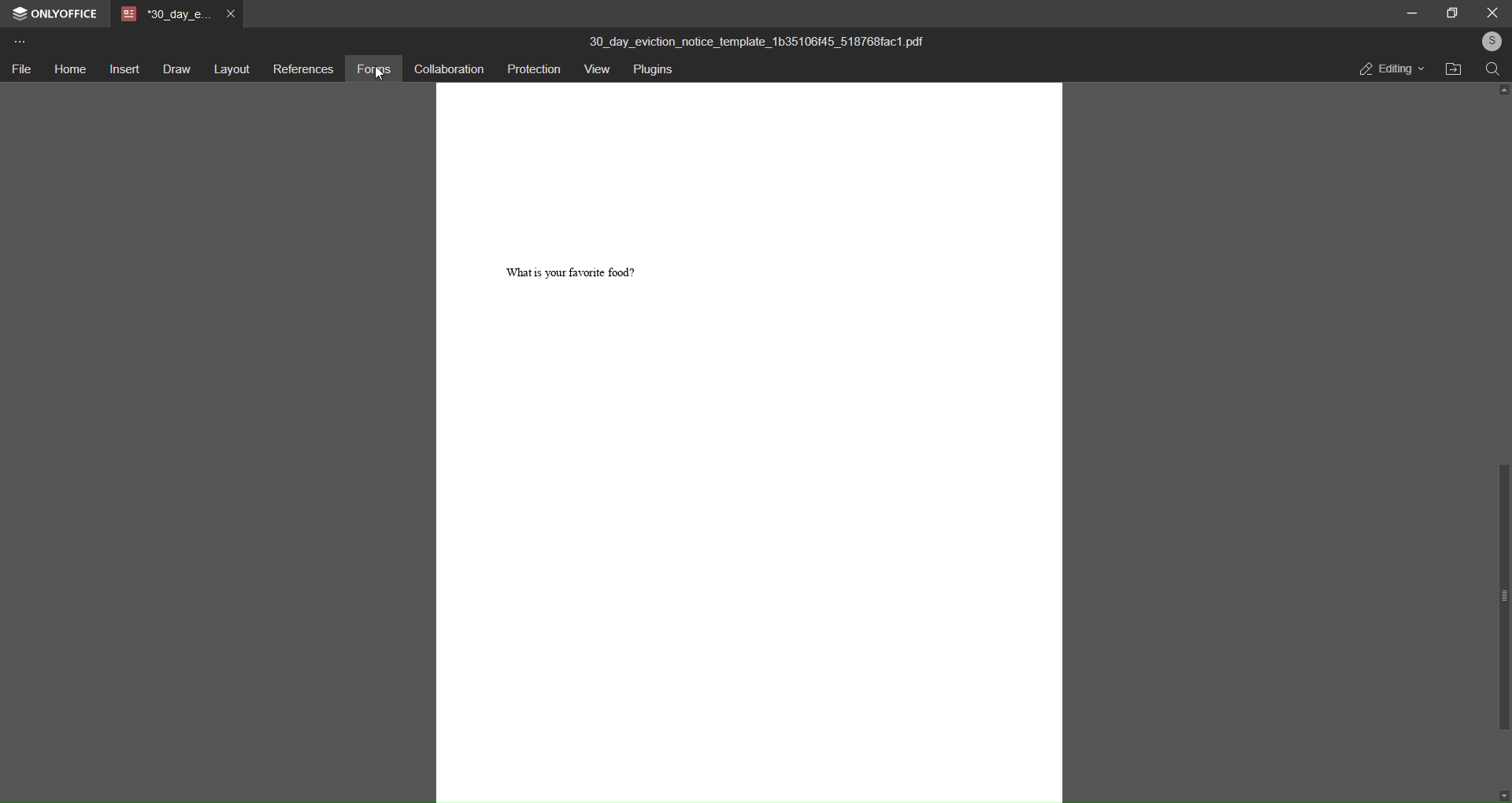 The height and width of the screenshot is (803, 1512). I want to click on editing, so click(1389, 70).